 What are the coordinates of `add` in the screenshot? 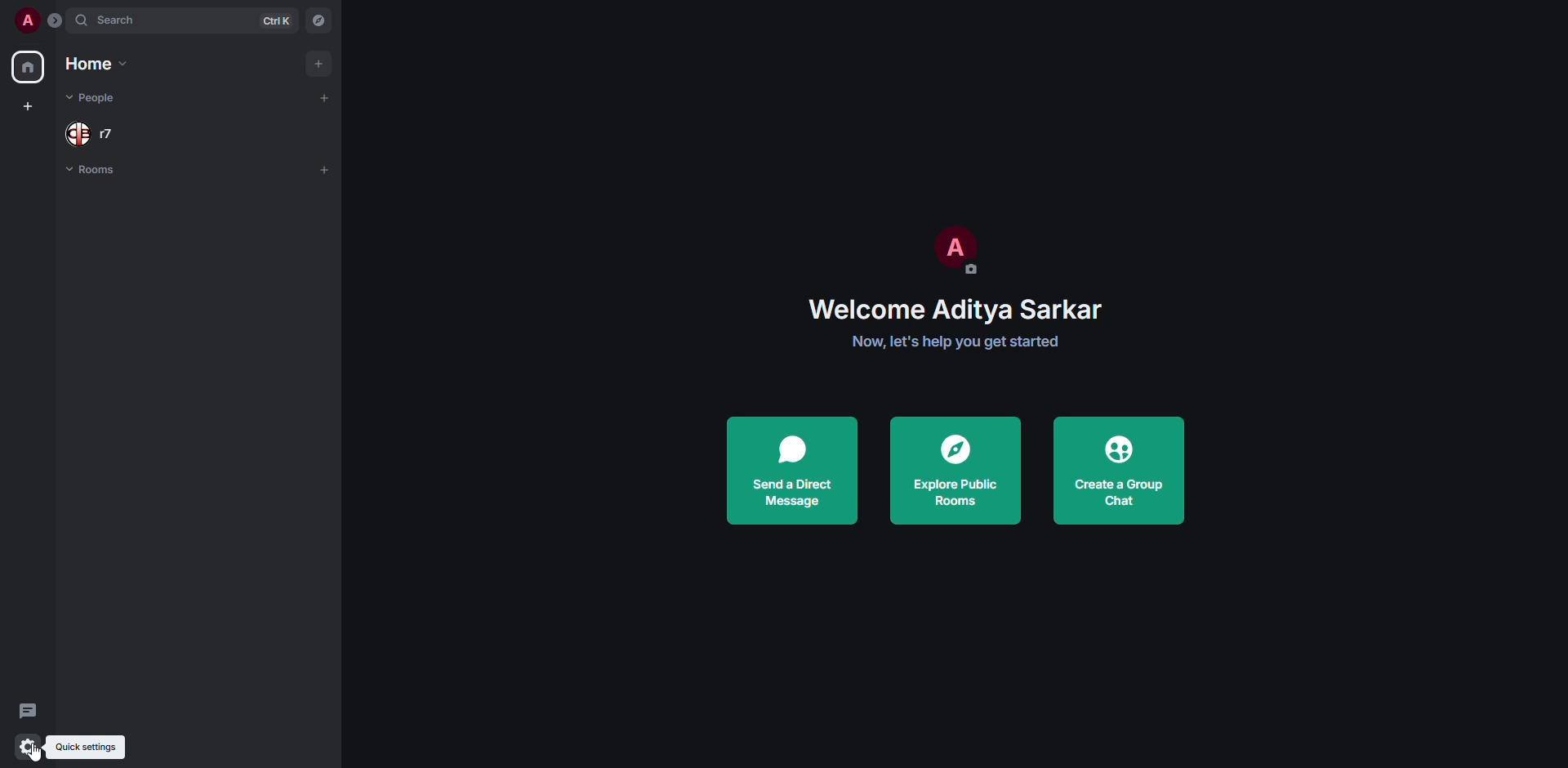 It's located at (325, 172).